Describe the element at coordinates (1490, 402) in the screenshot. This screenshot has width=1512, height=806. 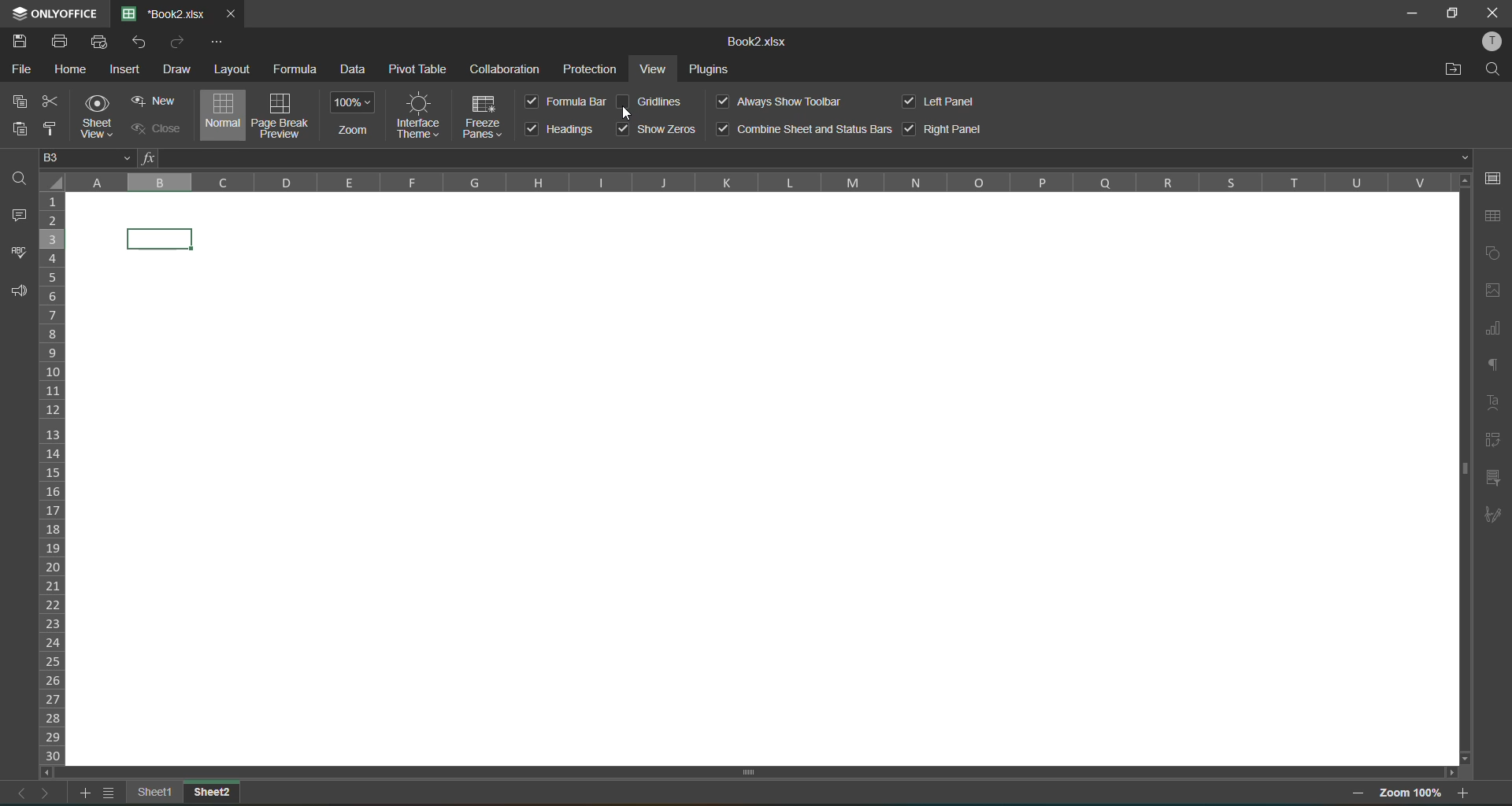
I see `text` at that location.